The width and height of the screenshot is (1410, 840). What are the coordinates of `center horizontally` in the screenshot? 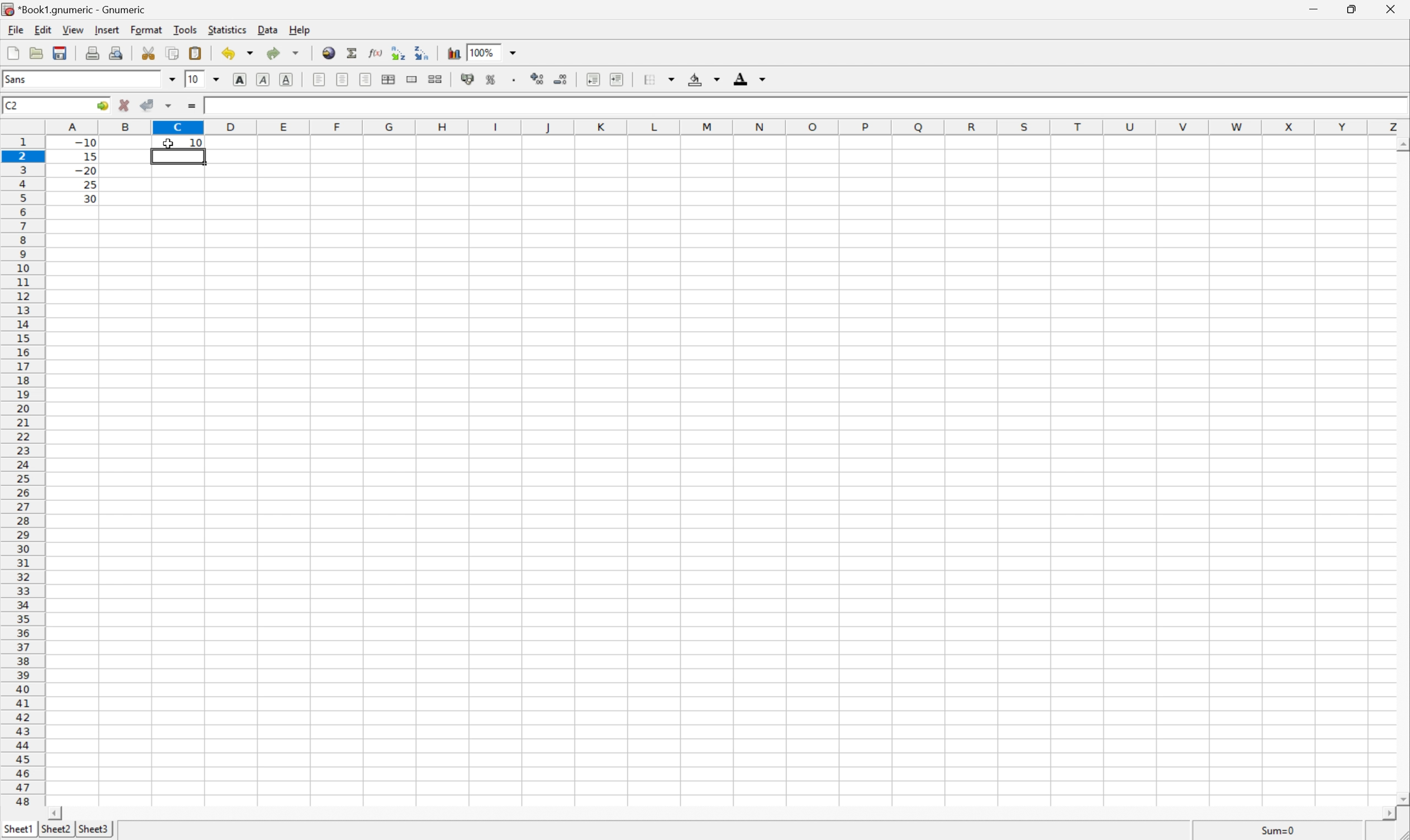 It's located at (343, 79).